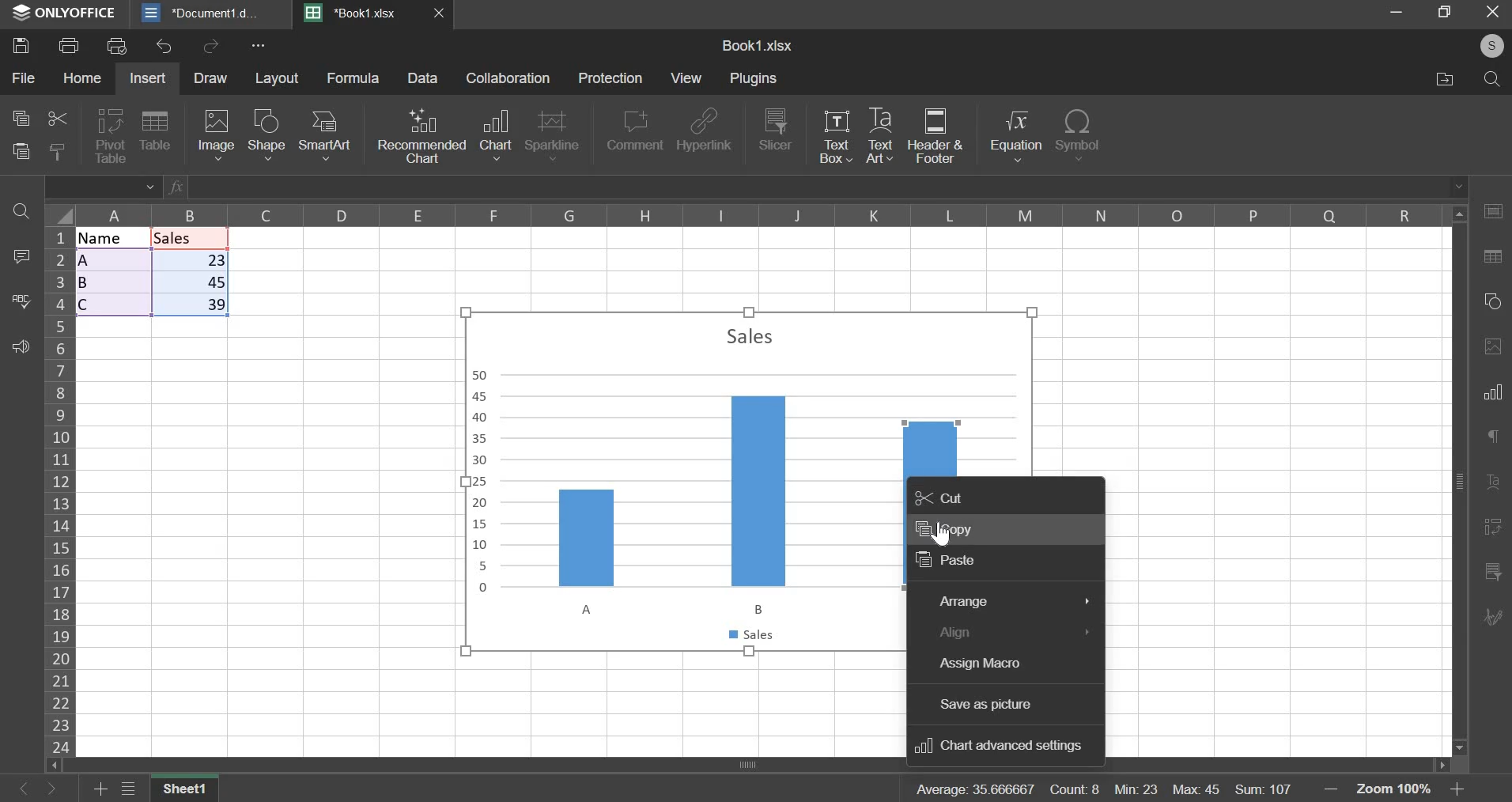  I want to click on Image Tool, so click(1492, 346).